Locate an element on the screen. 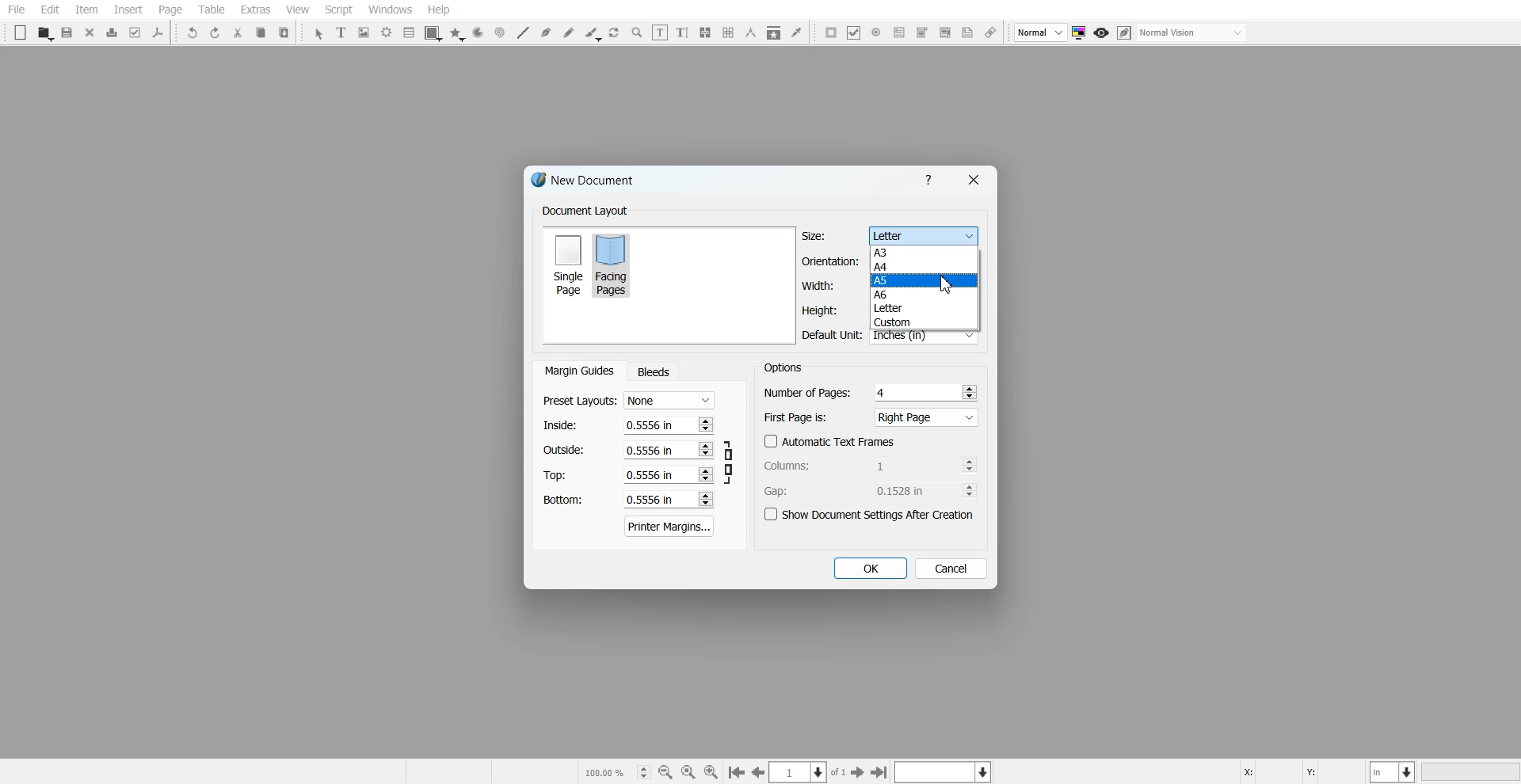 The width and height of the screenshot is (1521, 784). Cut is located at coordinates (238, 32).